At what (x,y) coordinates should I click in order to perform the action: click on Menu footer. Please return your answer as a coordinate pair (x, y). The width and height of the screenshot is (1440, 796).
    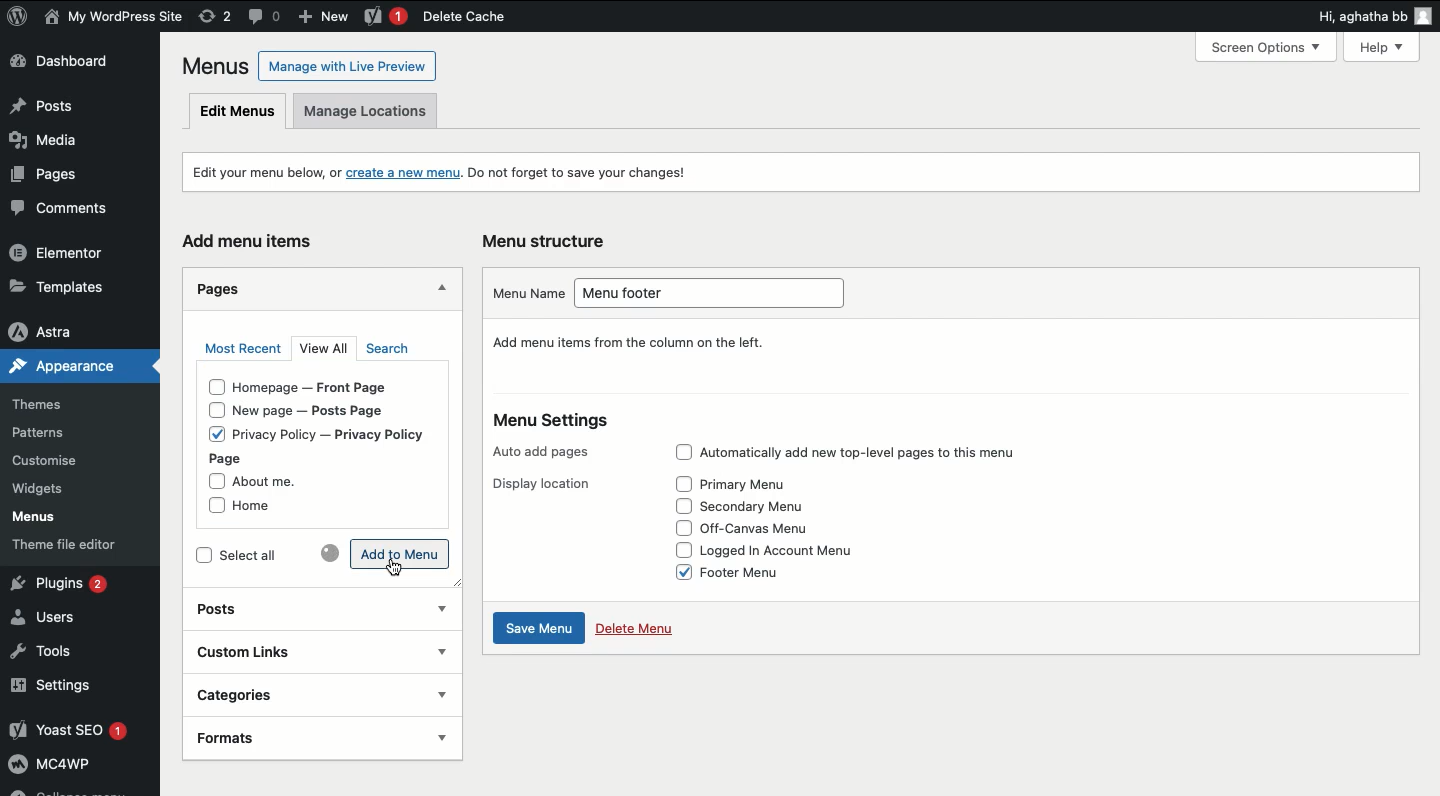
    Looking at the image, I should click on (721, 293).